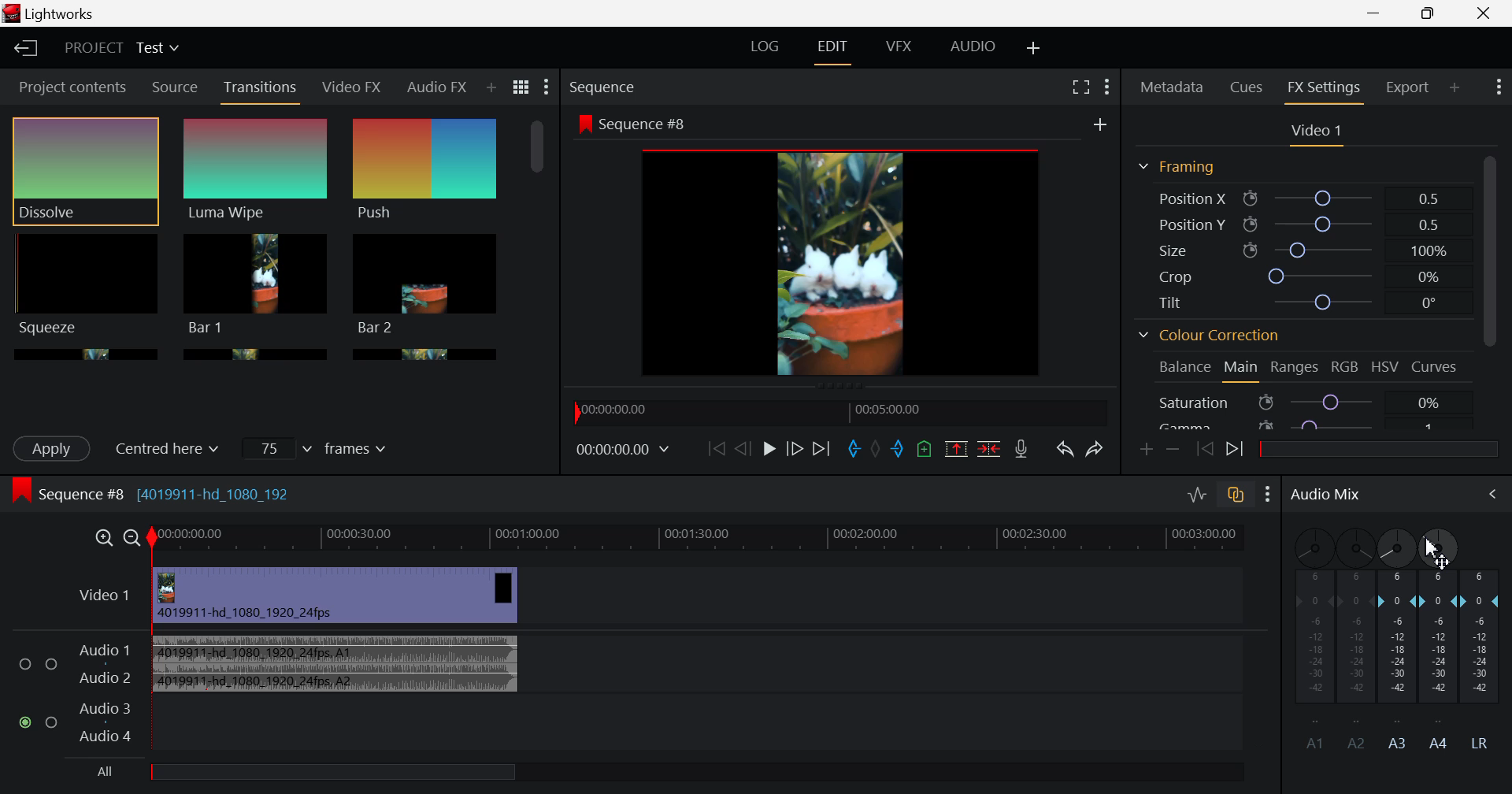 This screenshot has height=794, width=1512. Describe the element at coordinates (1299, 304) in the screenshot. I see `Tilt` at that location.